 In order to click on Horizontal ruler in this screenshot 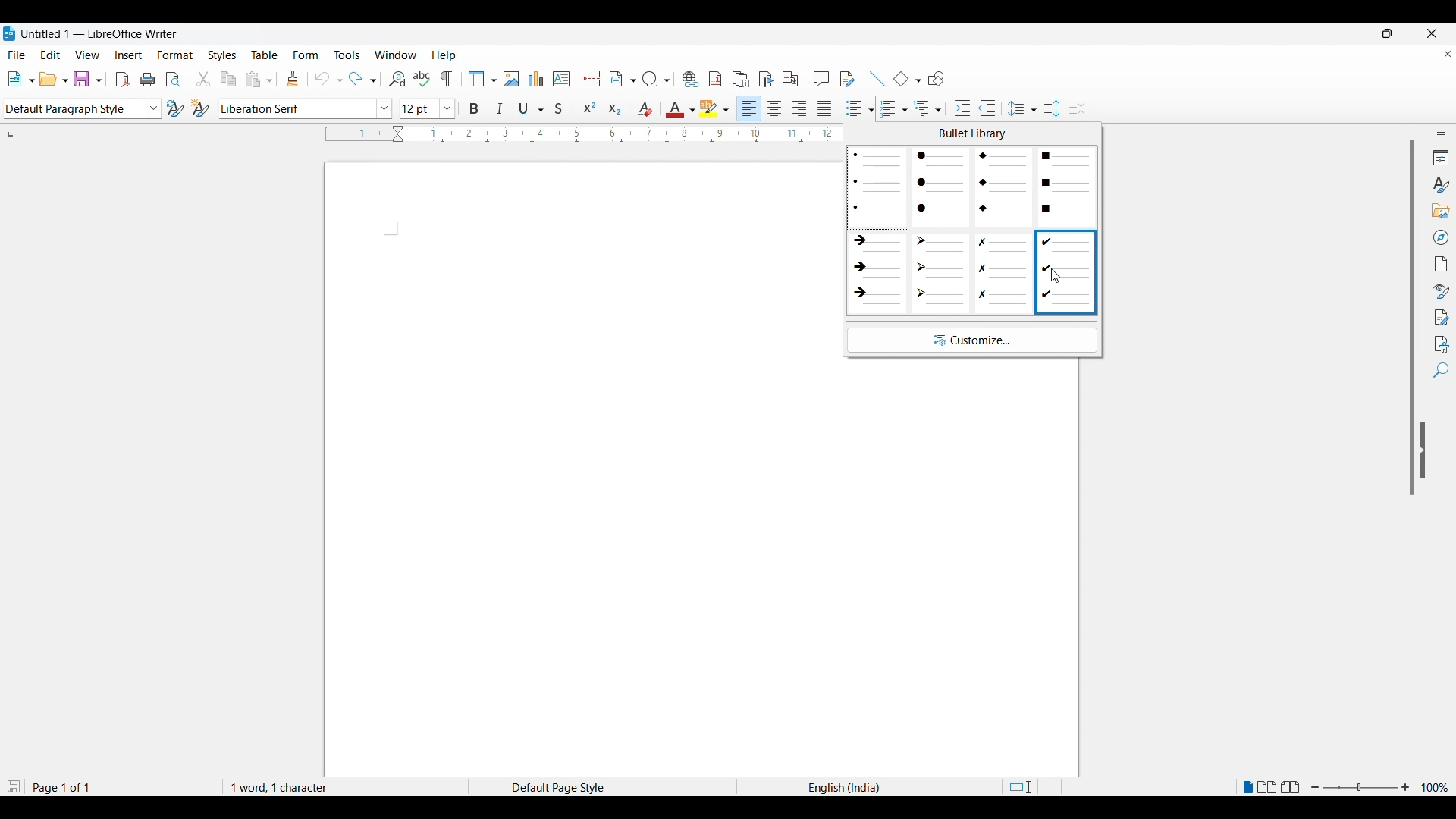, I will do `click(599, 132)`.